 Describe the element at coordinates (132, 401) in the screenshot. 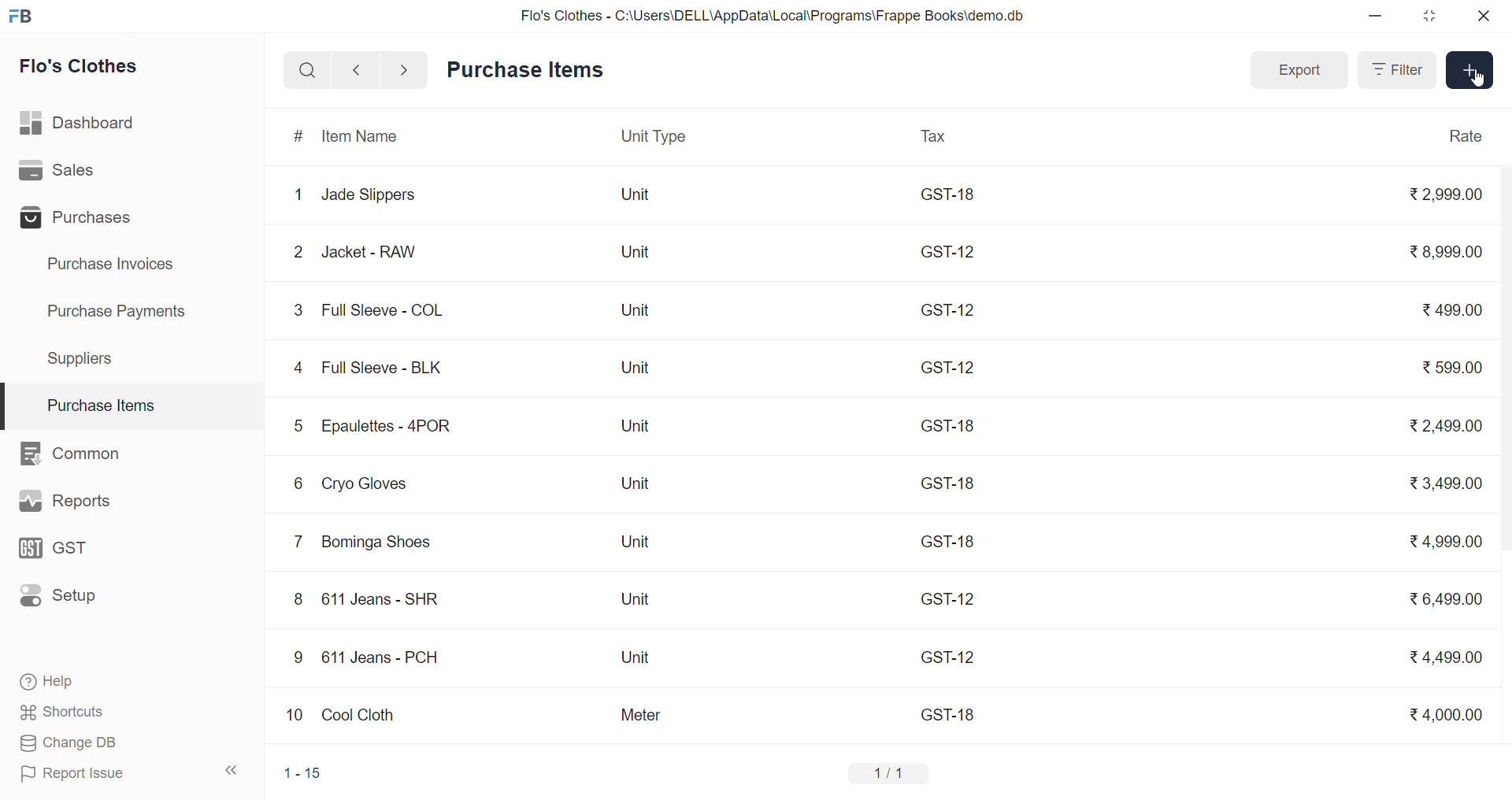

I see `Purchase Items` at that location.